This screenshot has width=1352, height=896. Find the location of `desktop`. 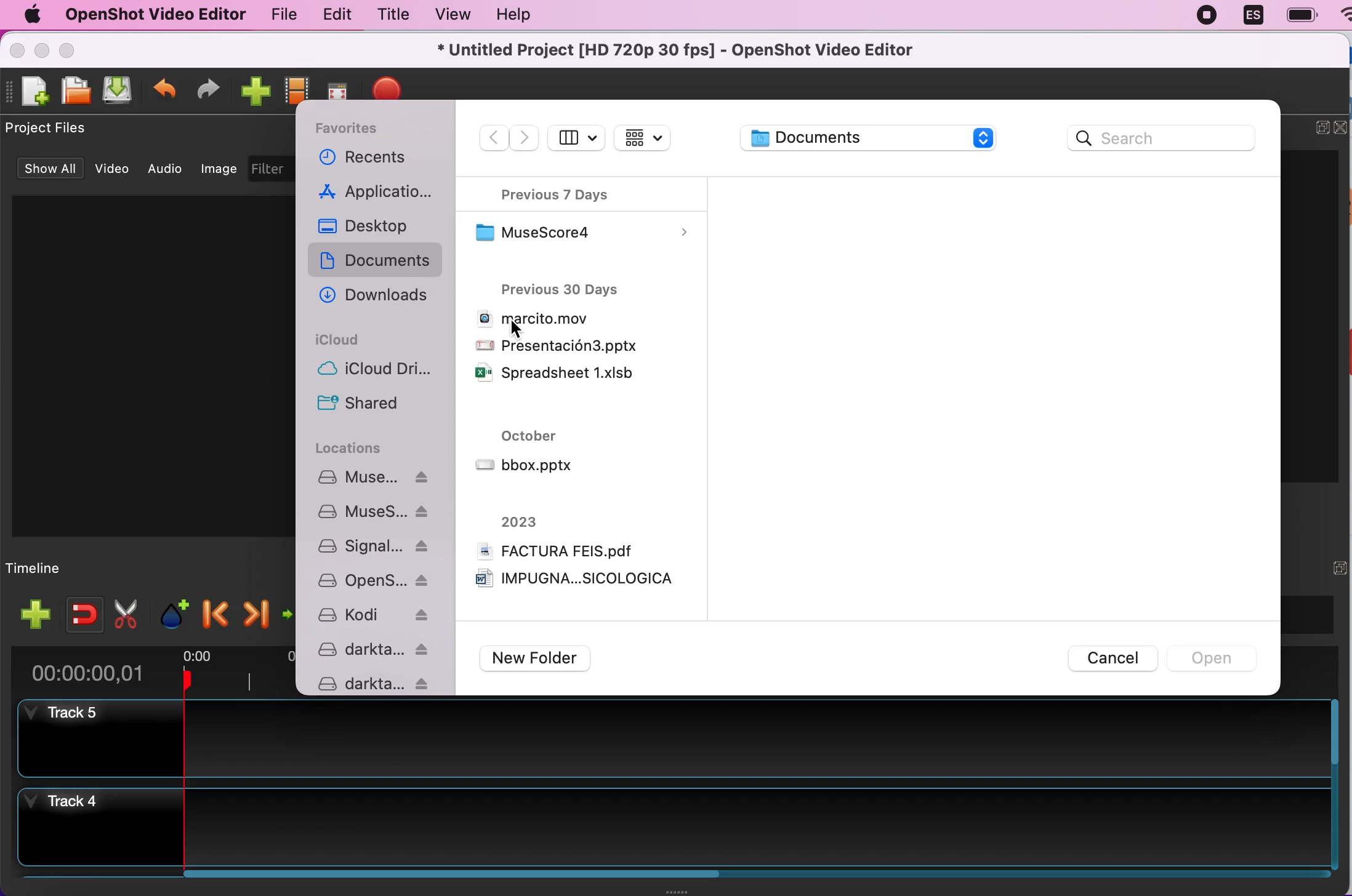

desktop is located at coordinates (379, 226).